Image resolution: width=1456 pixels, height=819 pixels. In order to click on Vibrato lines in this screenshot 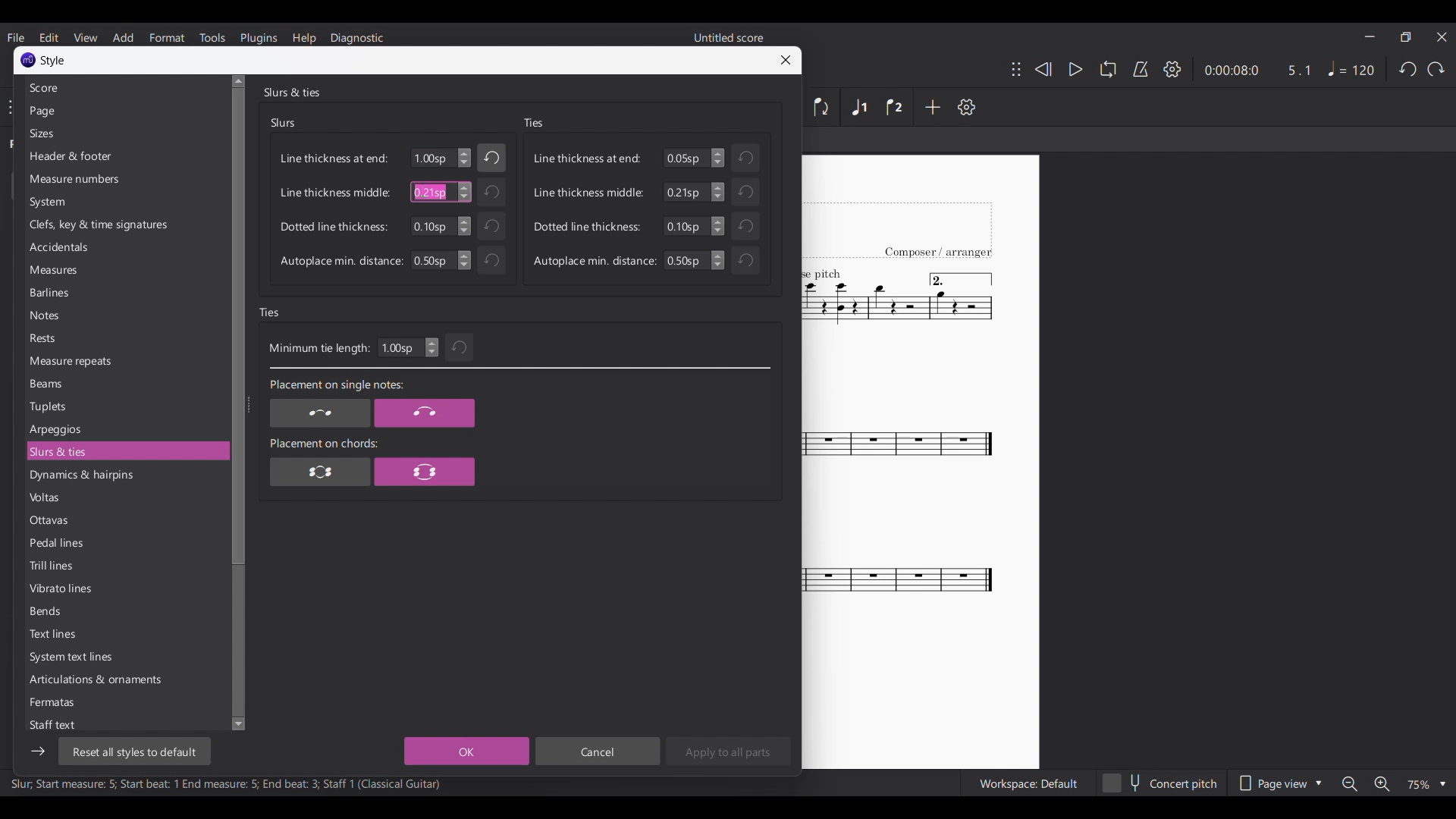, I will do `click(125, 588)`.